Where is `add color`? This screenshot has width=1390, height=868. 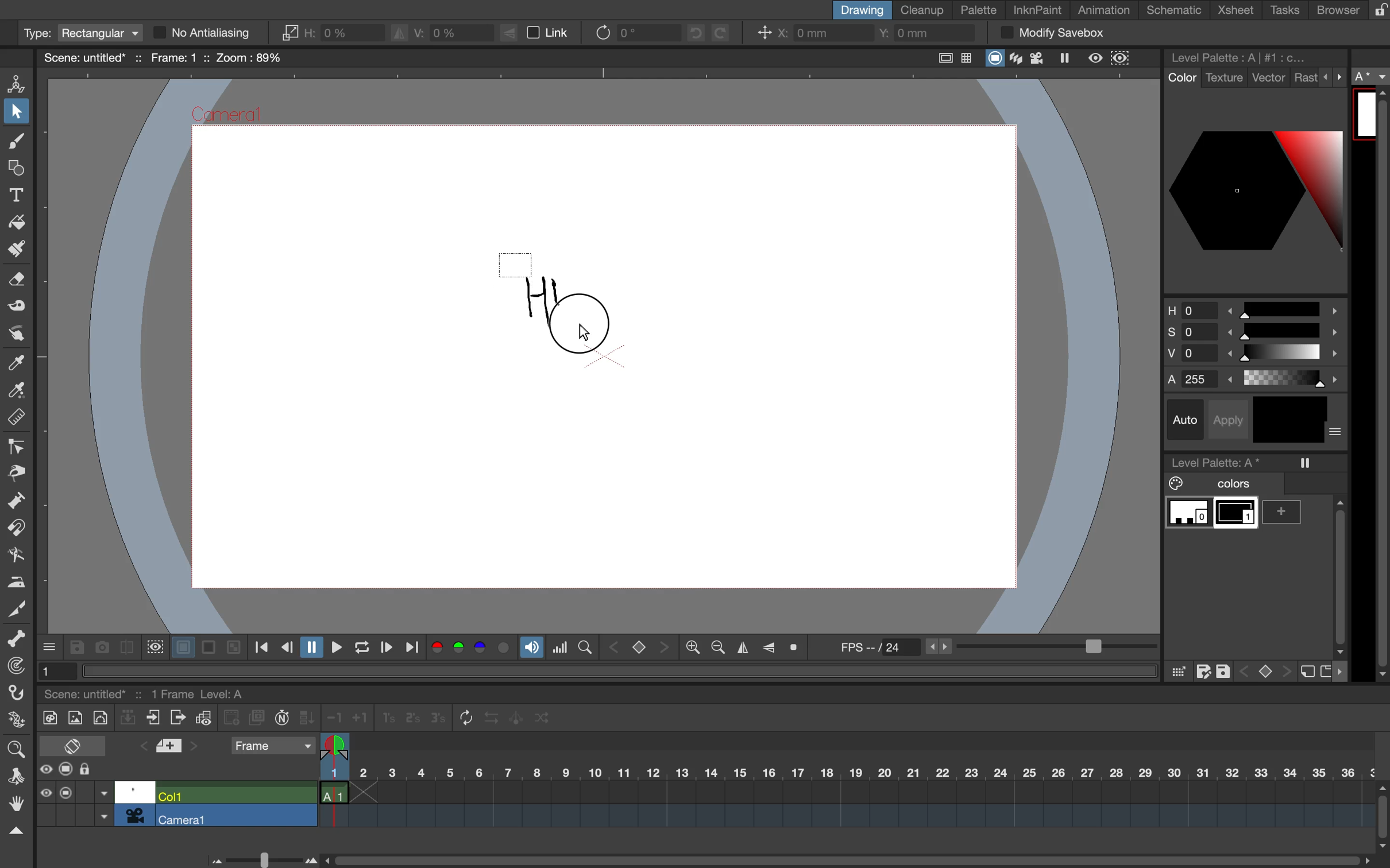
add color is located at coordinates (1286, 512).